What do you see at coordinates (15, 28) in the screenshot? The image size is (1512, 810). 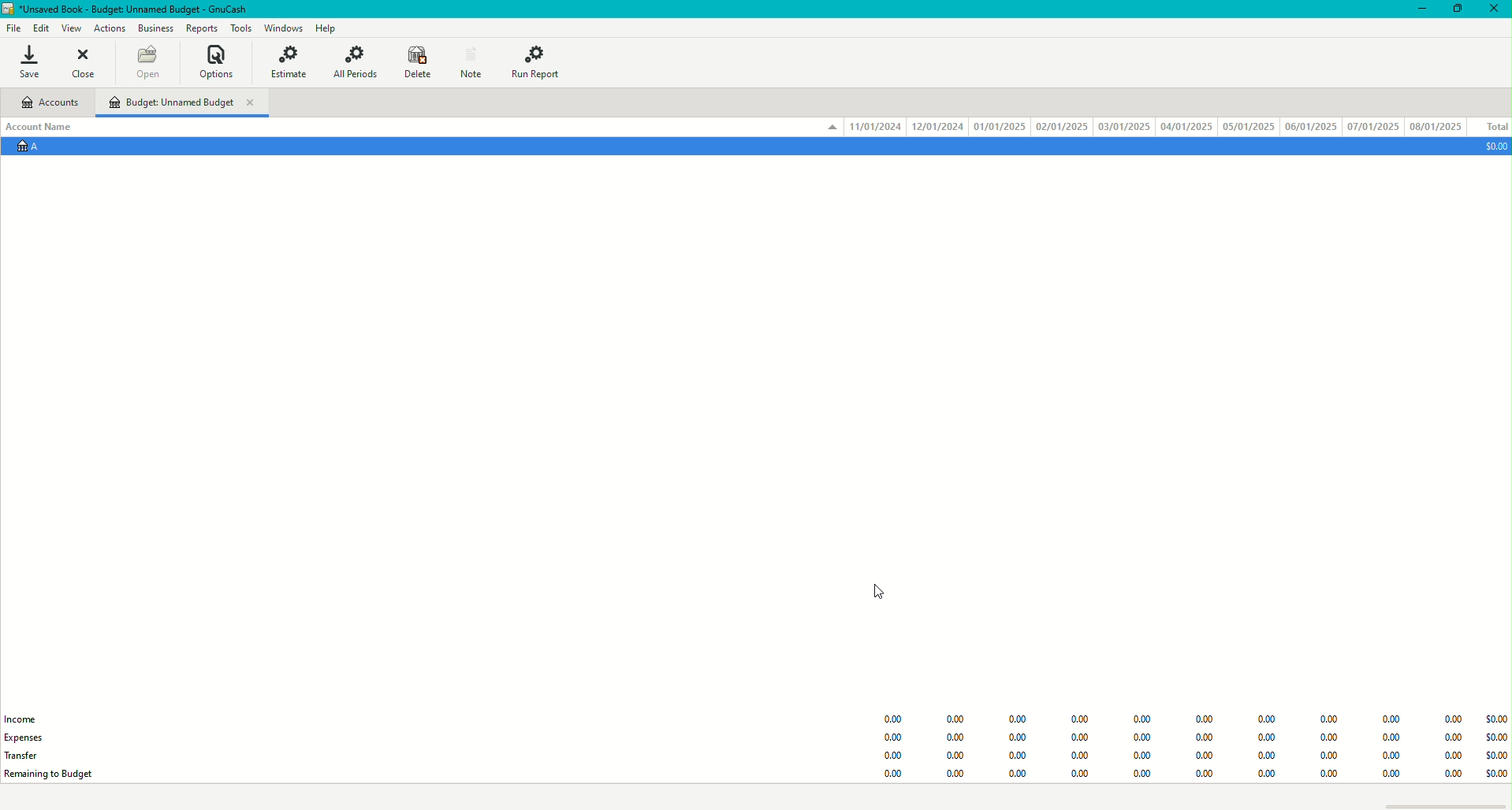 I see `File` at bounding box center [15, 28].